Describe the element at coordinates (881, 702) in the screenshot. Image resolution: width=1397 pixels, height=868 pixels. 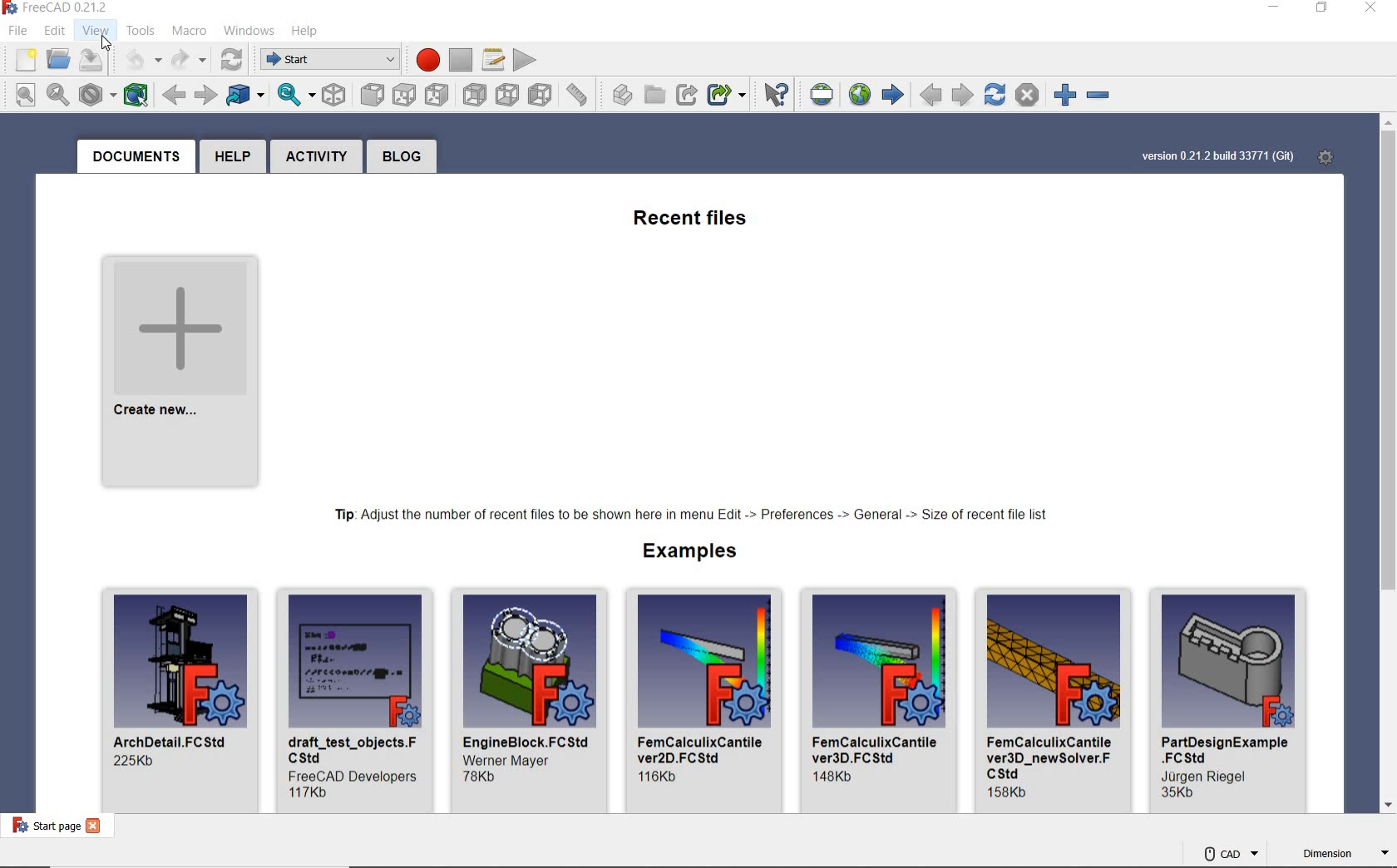
I see `FemCalculixCantile` at that location.